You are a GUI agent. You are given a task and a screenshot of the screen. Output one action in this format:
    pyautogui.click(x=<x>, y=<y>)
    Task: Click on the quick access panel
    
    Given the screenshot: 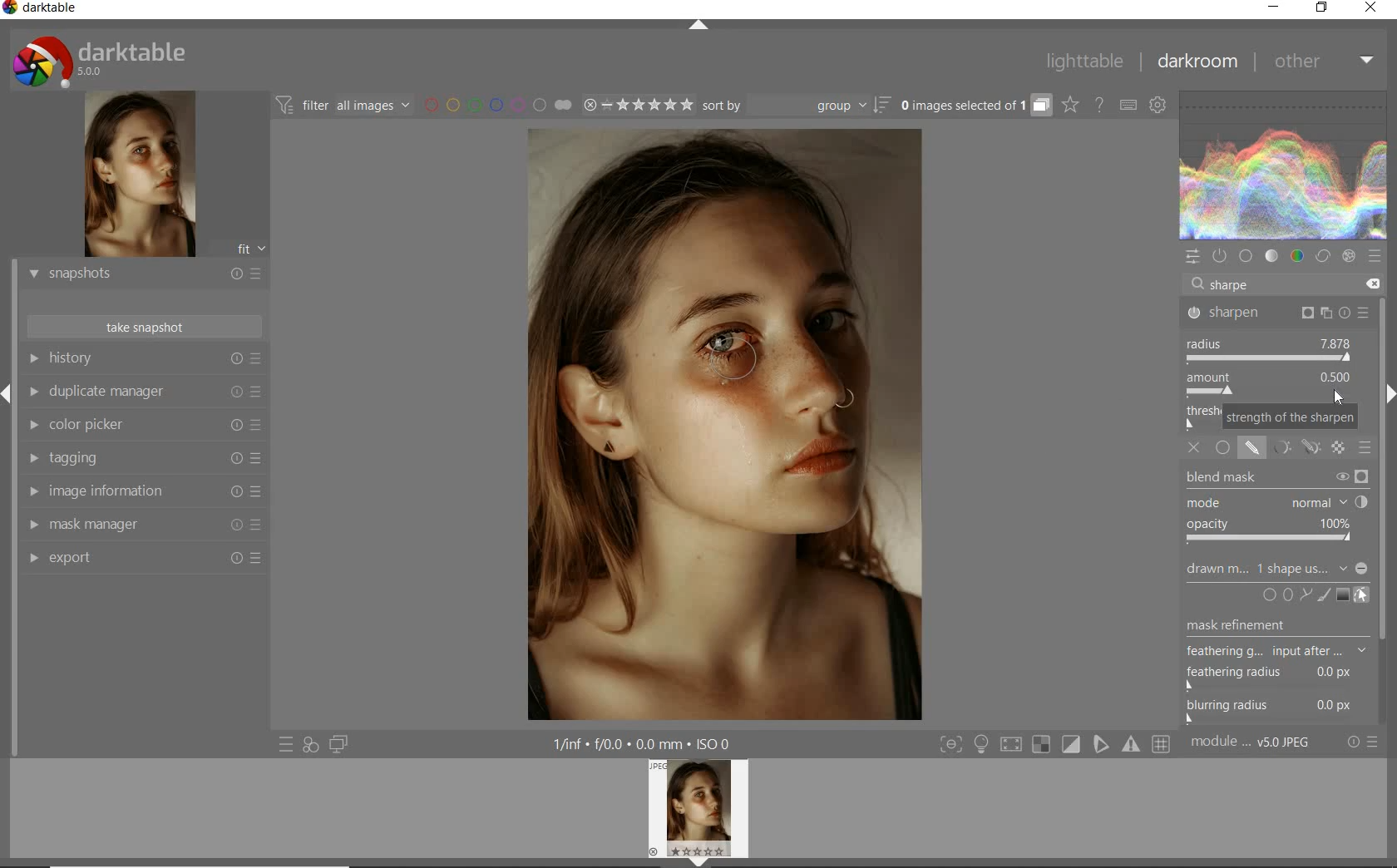 What is the action you would take?
    pyautogui.click(x=1193, y=257)
    